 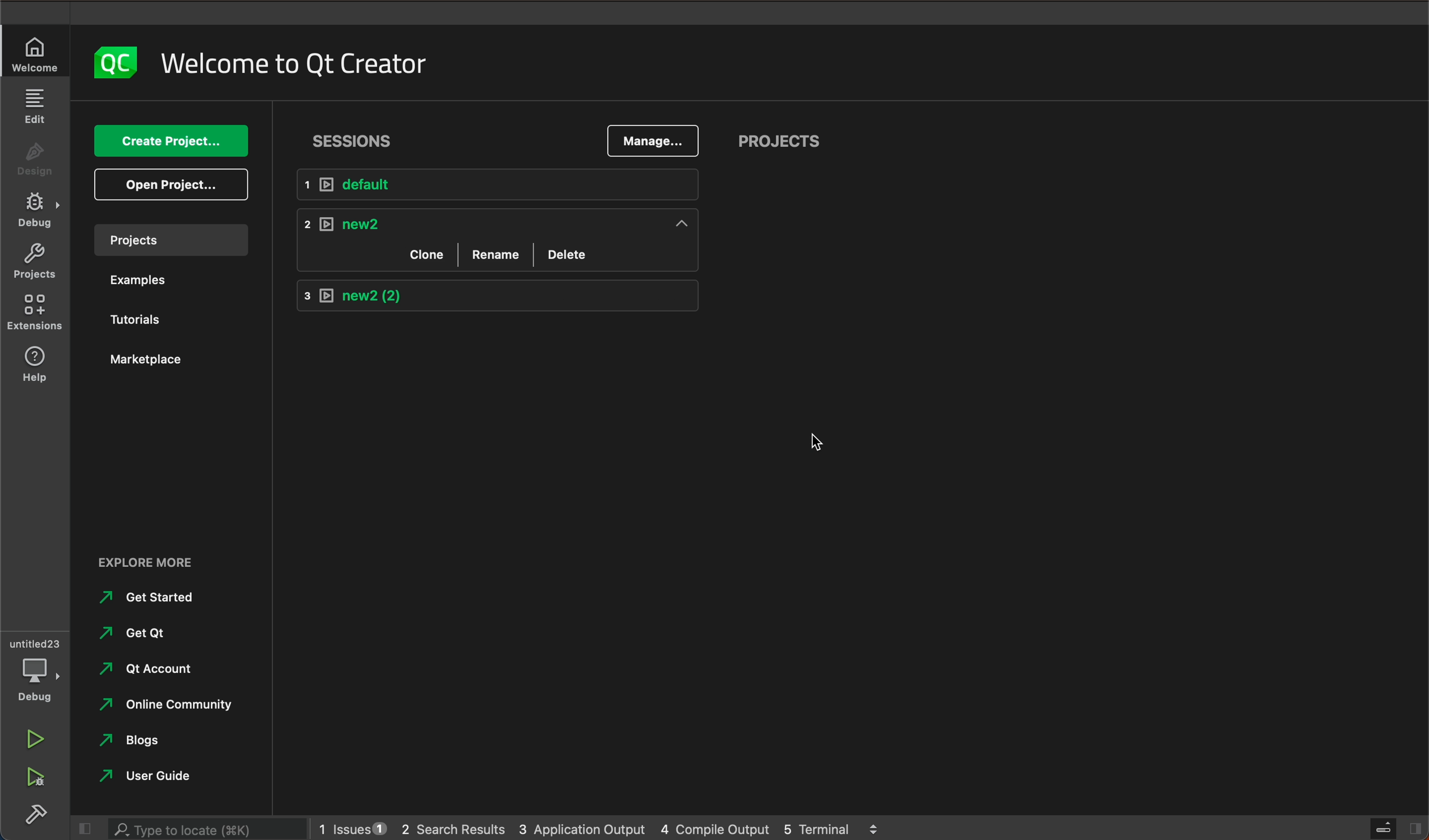 I want to click on run debug, so click(x=33, y=774).